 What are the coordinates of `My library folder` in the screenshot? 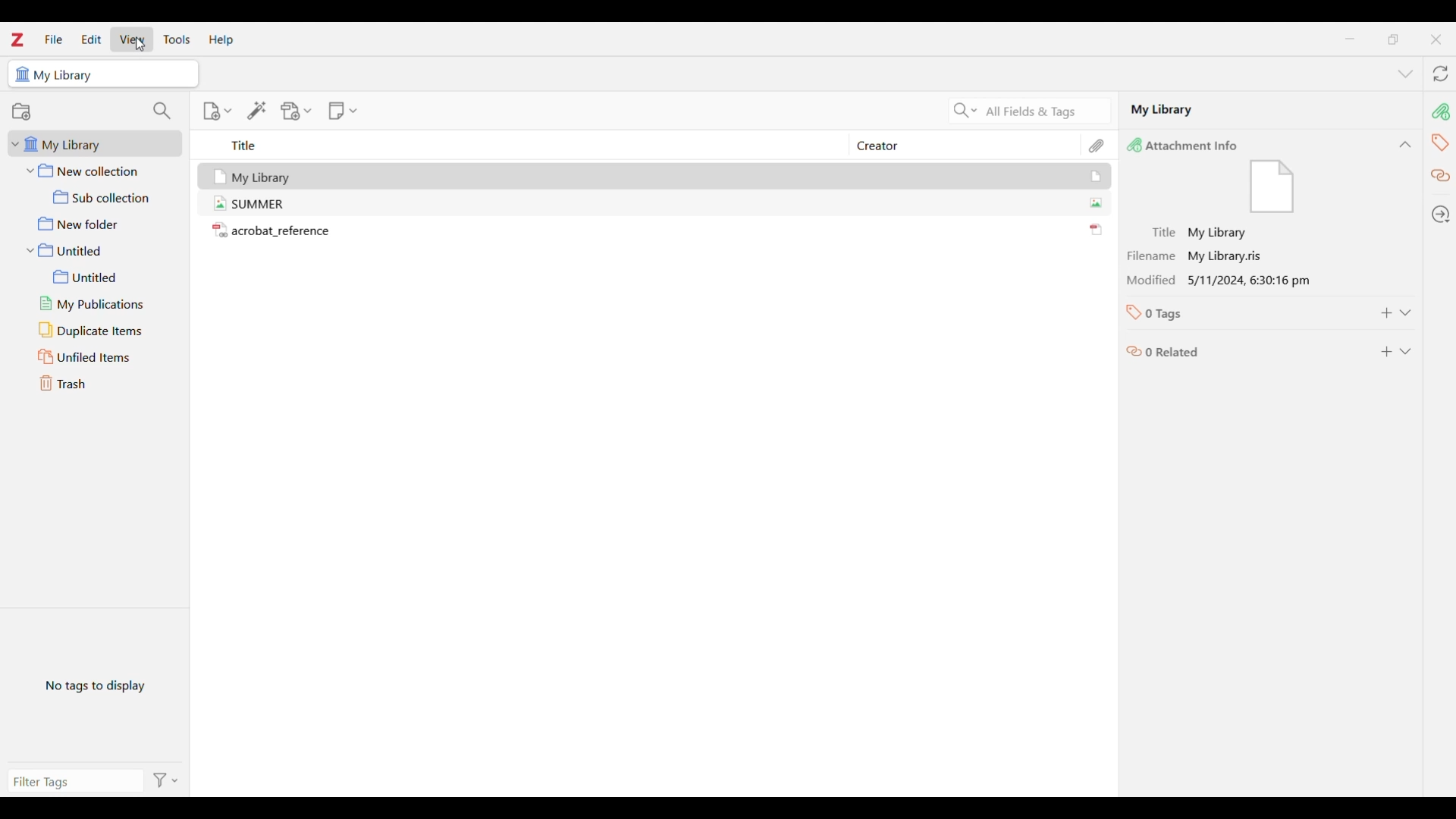 It's located at (93, 143).